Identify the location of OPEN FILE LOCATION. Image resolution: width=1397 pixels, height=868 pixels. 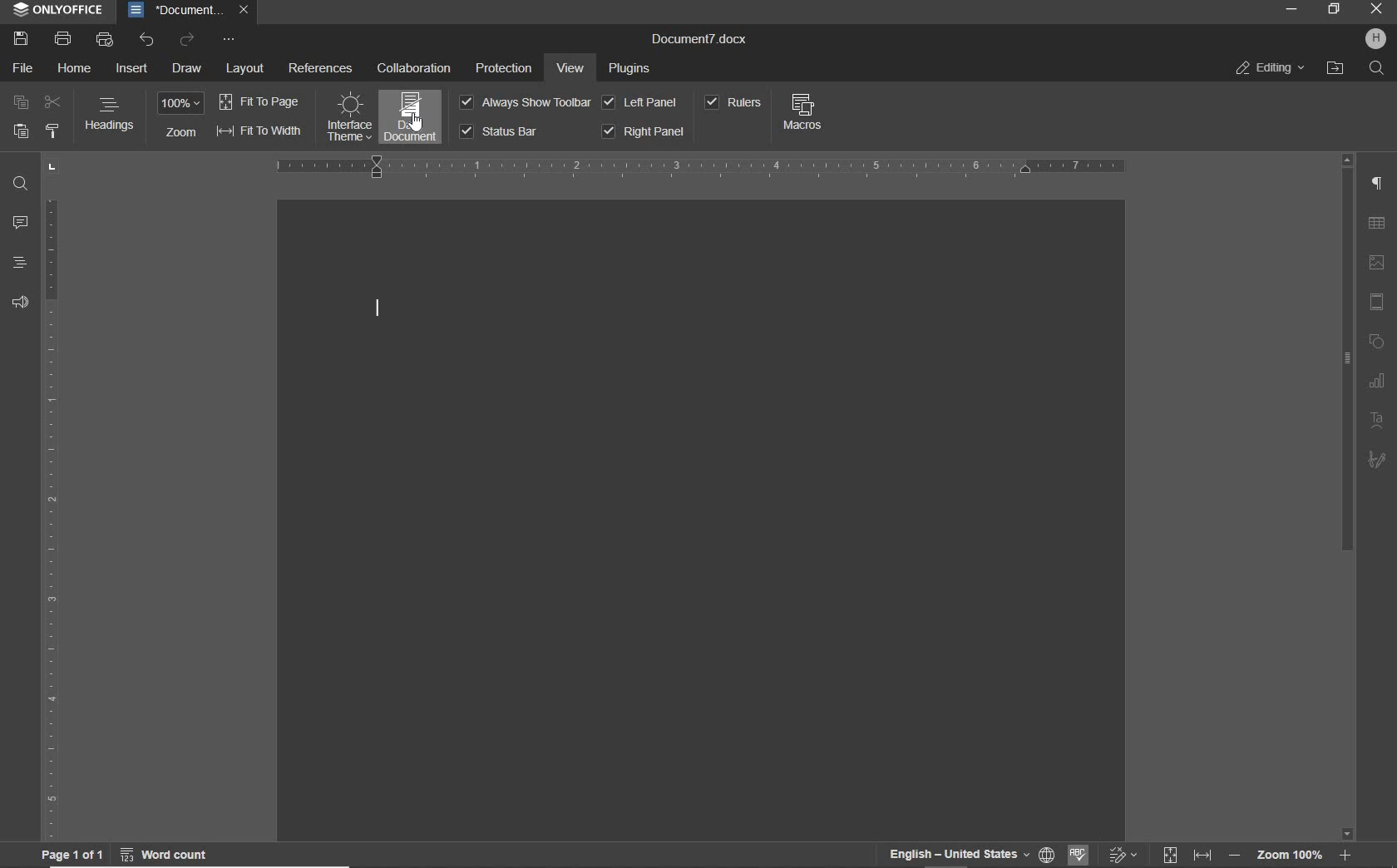
(1337, 70).